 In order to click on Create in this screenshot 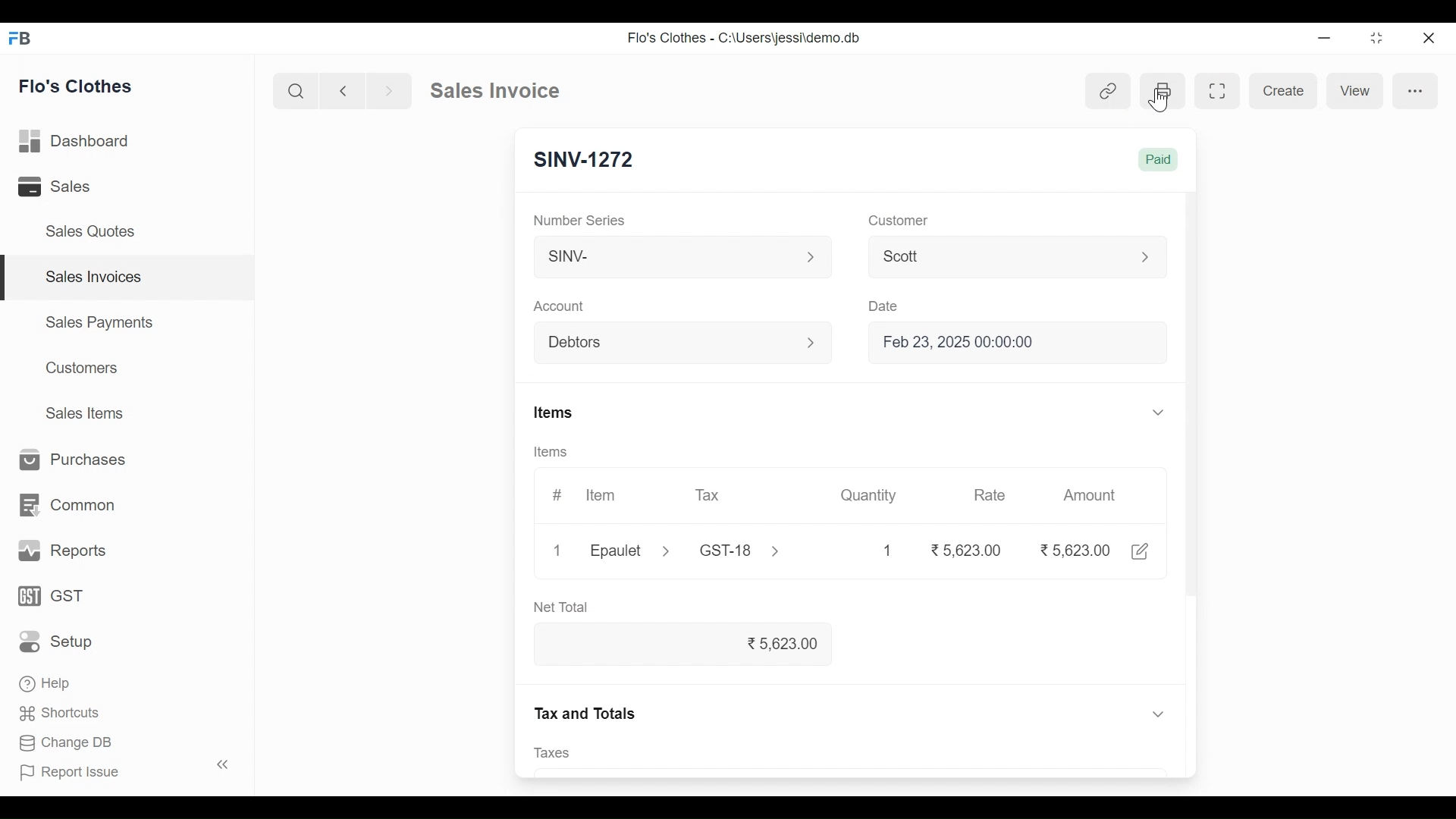, I will do `click(1286, 91)`.